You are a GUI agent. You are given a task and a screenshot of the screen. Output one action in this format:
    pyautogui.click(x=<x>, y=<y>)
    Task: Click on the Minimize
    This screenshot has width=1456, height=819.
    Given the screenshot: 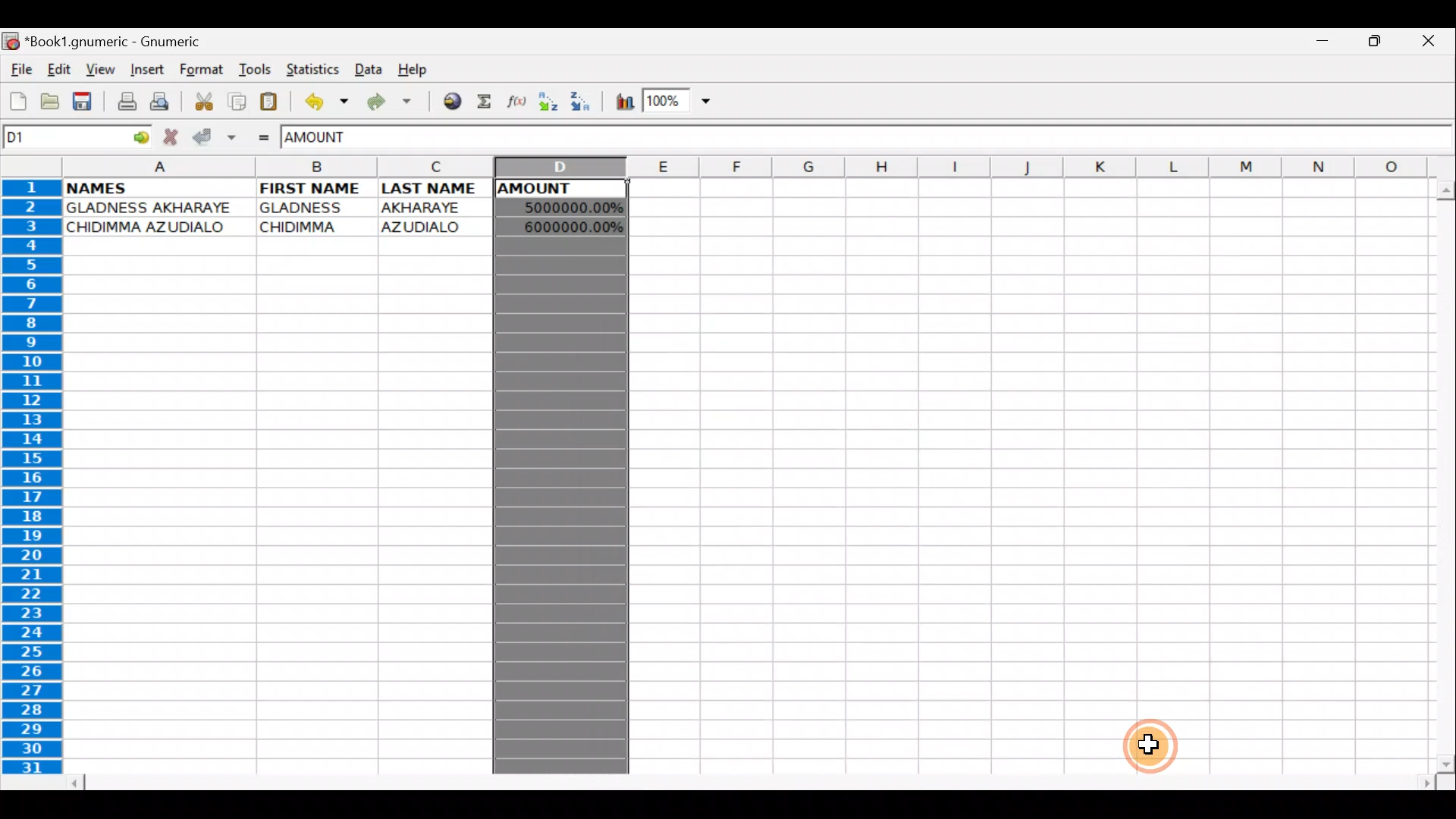 What is the action you would take?
    pyautogui.click(x=1327, y=44)
    